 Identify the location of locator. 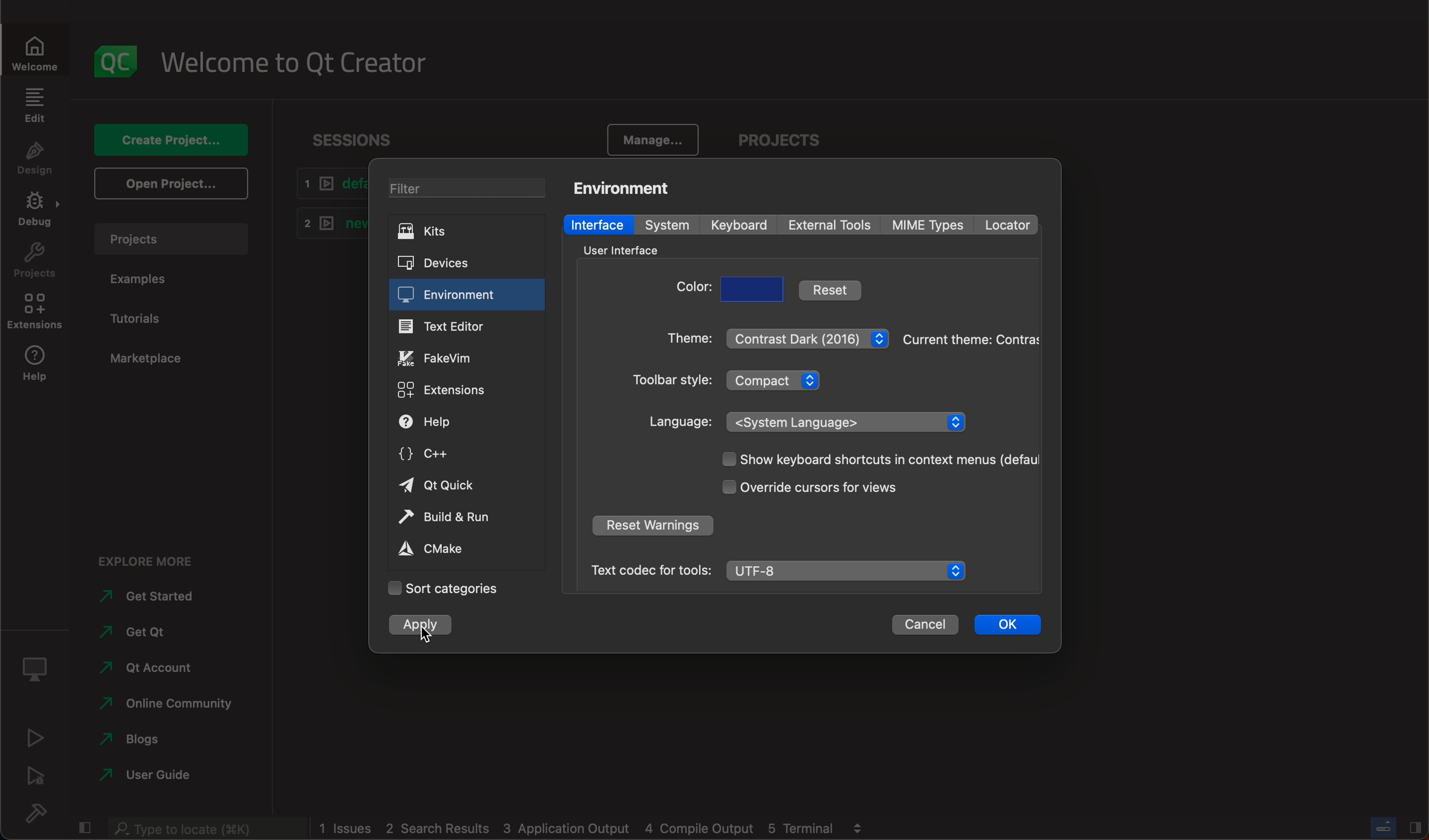
(1006, 225).